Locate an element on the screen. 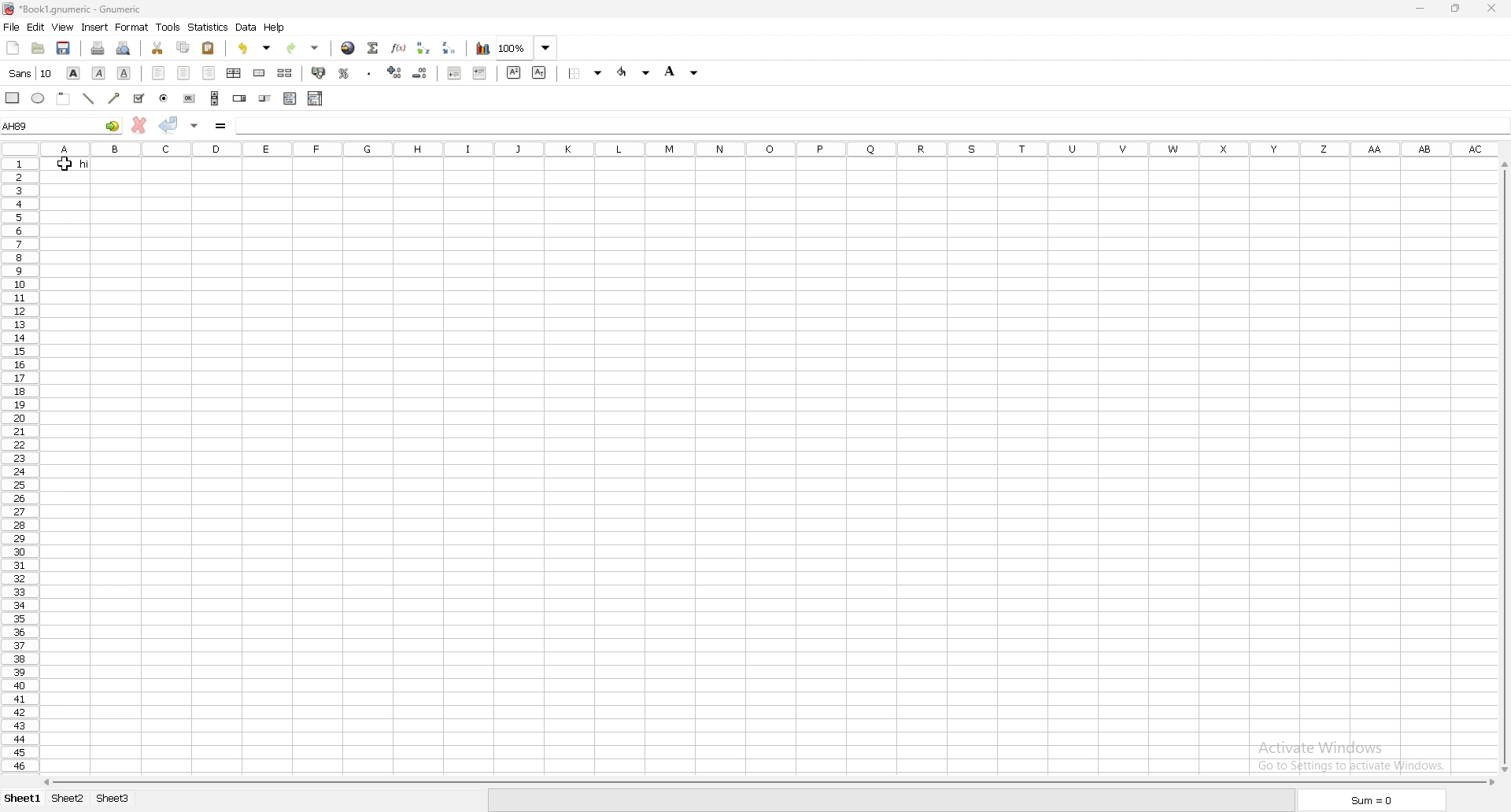 This screenshot has width=1511, height=812. chart is located at coordinates (482, 49).